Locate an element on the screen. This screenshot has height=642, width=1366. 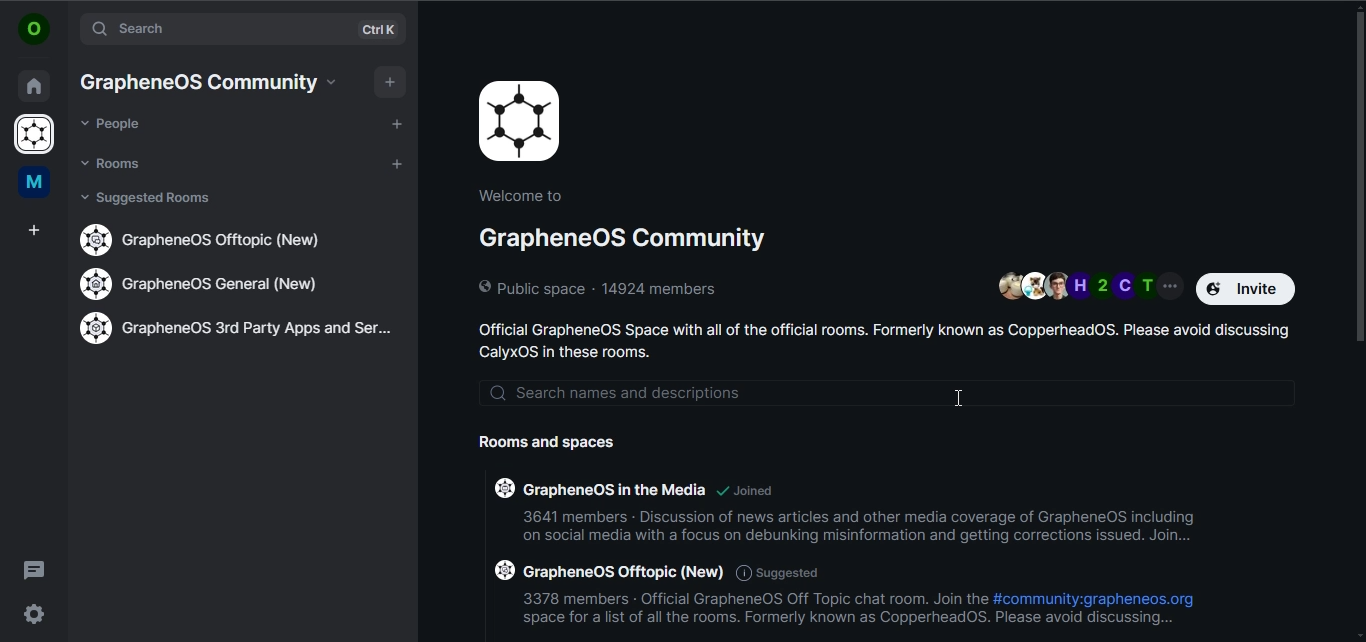
#community:grapheneoss.org is located at coordinates (1097, 598).